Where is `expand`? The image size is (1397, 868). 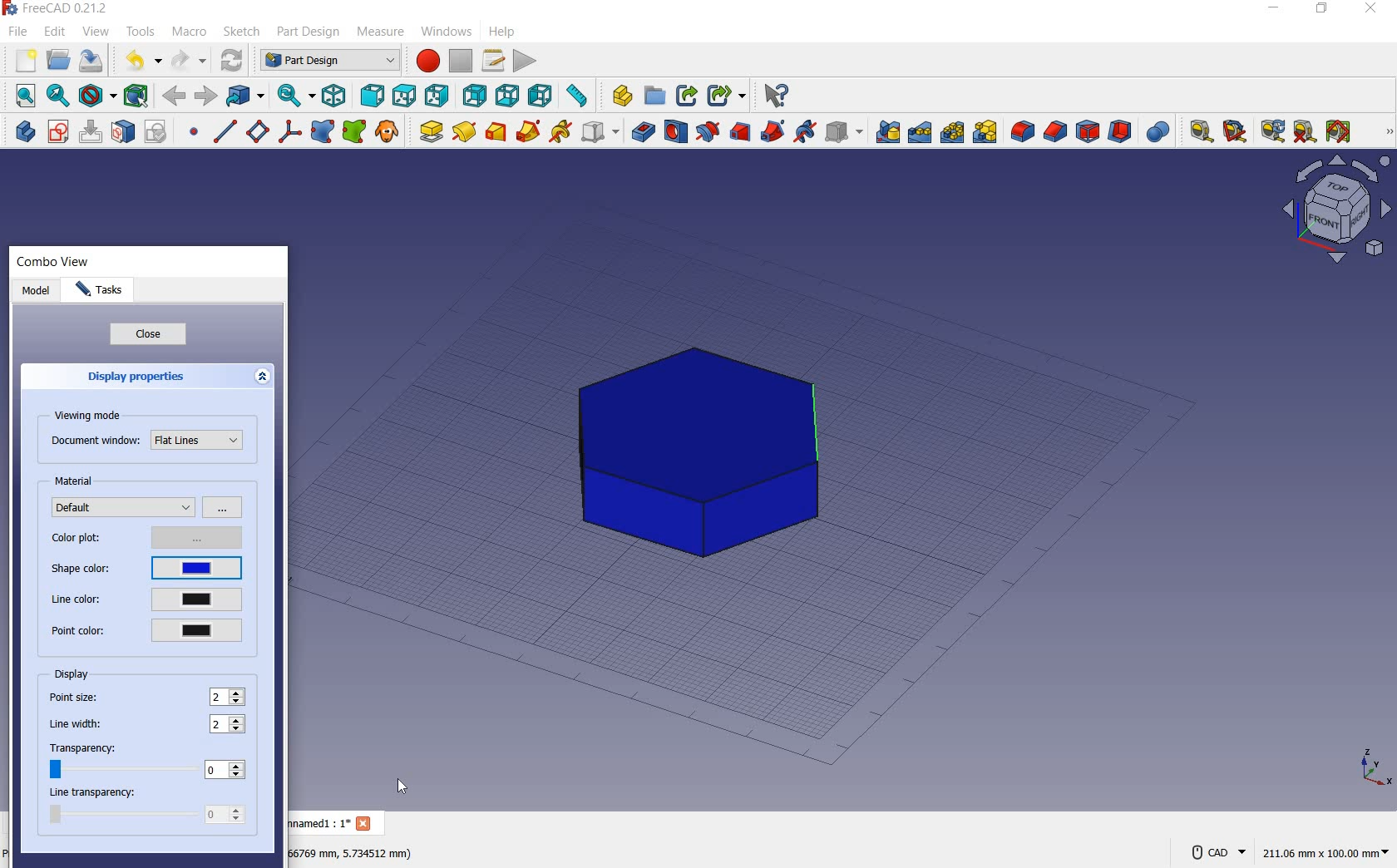
expand is located at coordinates (267, 379).